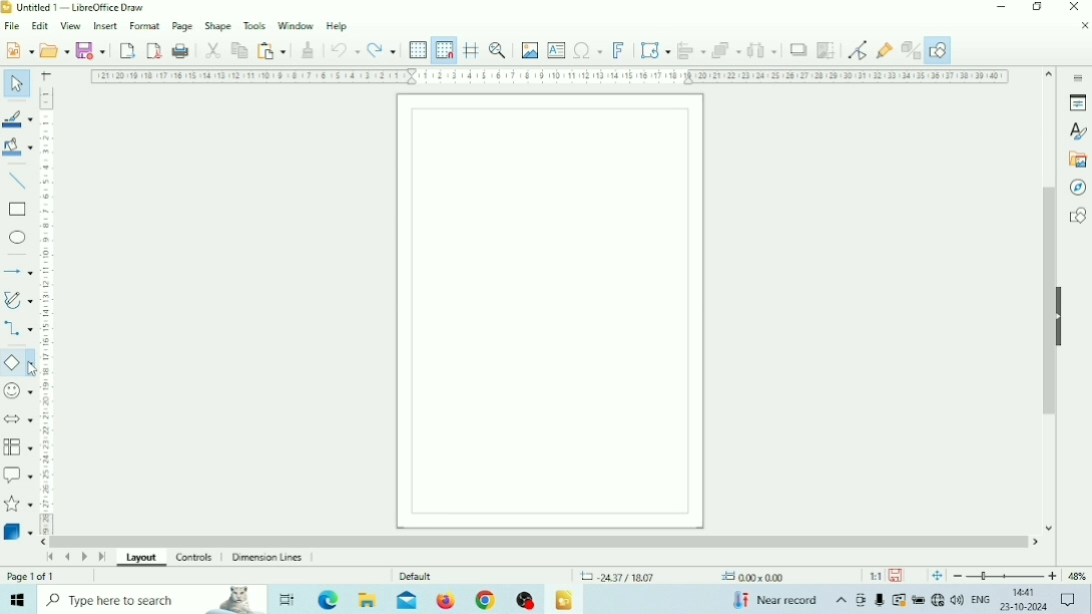  I want to click on Insert Text Box, so click(557, 49).